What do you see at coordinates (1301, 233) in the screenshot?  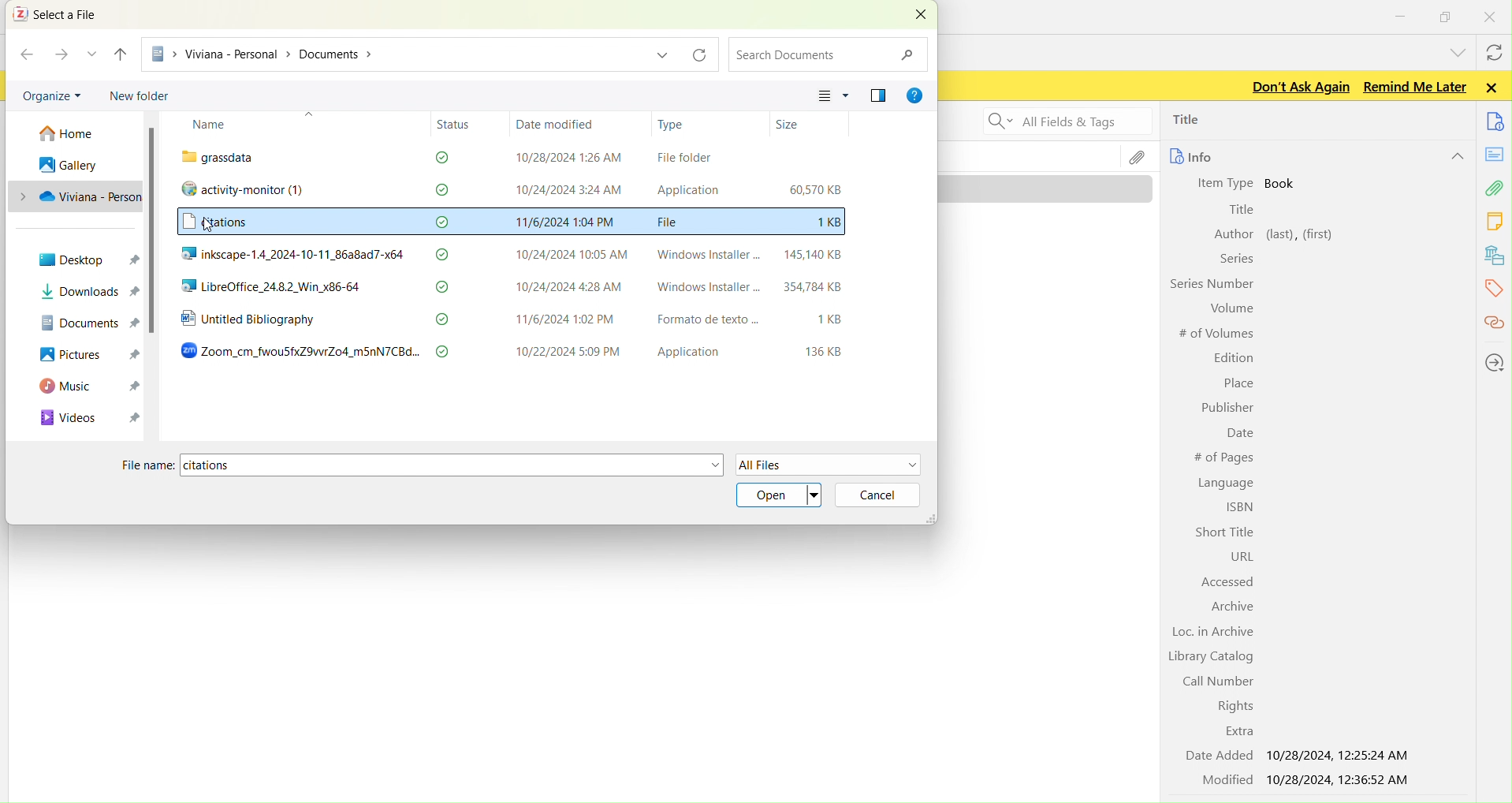 I see `left, first` at bounding box center [1301, 233].